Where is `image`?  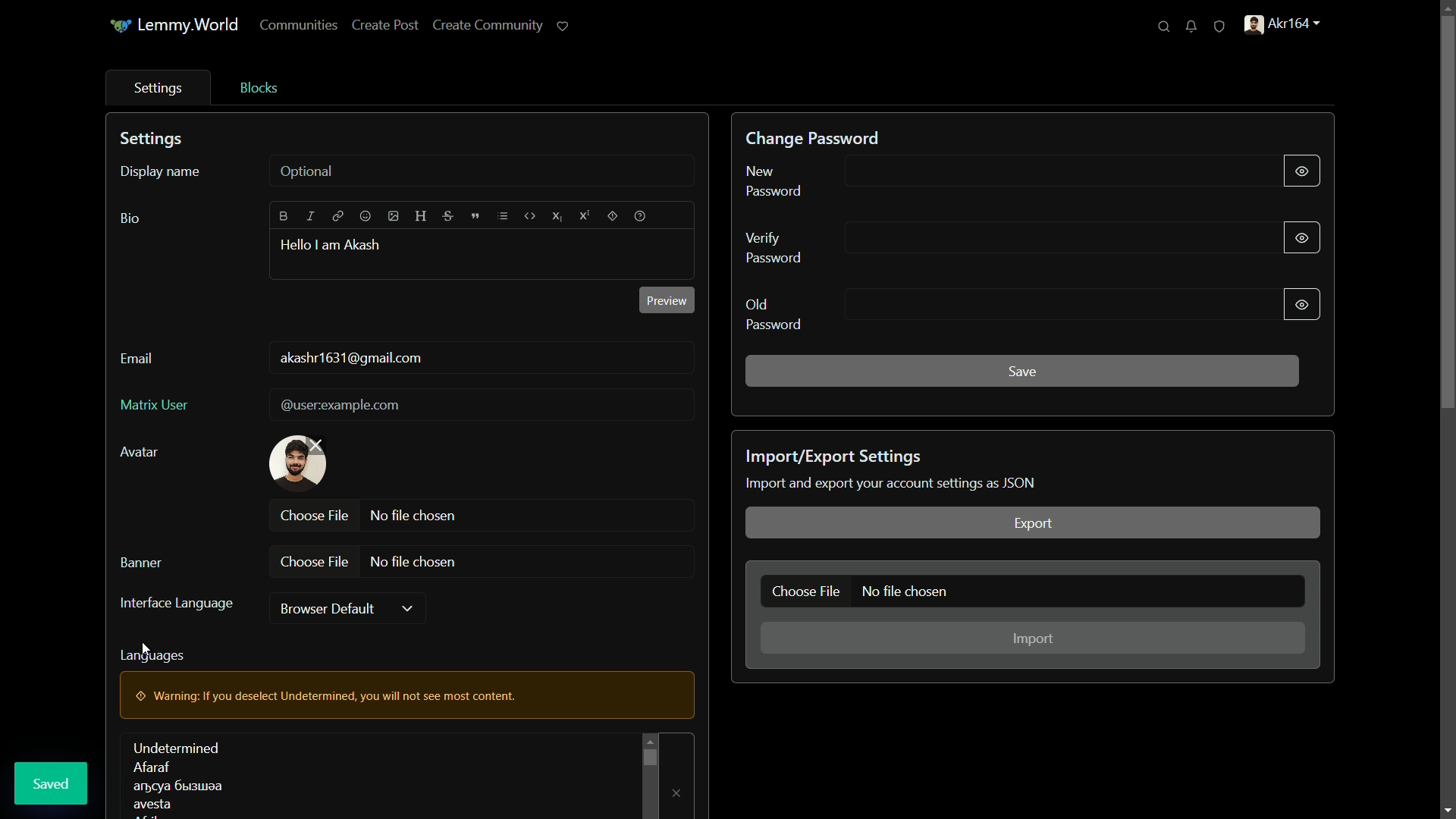
image is located at coordinates (393, 216).